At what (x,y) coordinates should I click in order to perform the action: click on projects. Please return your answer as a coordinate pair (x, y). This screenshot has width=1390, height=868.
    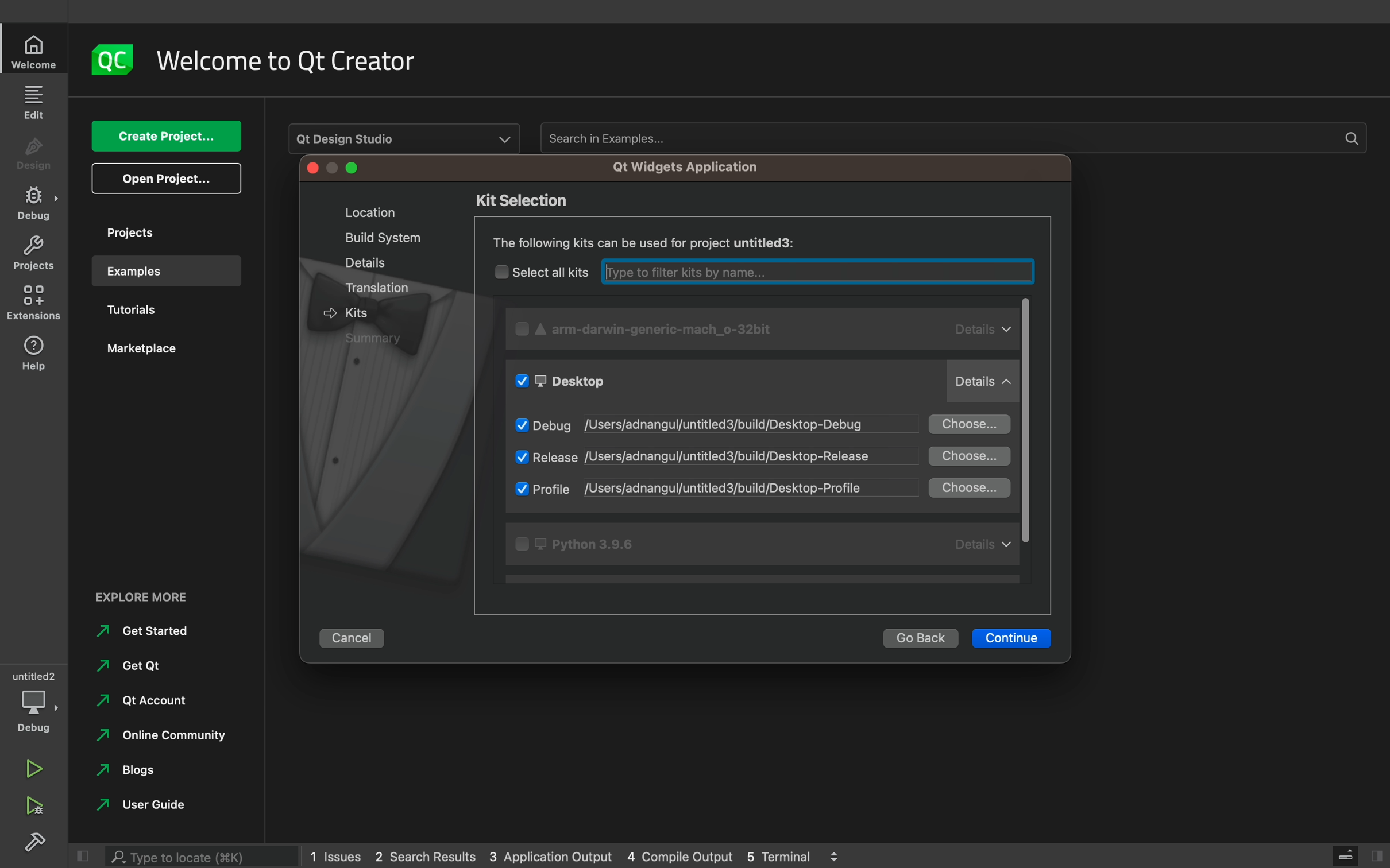
    Looking at the image, I should click on (160, 232).